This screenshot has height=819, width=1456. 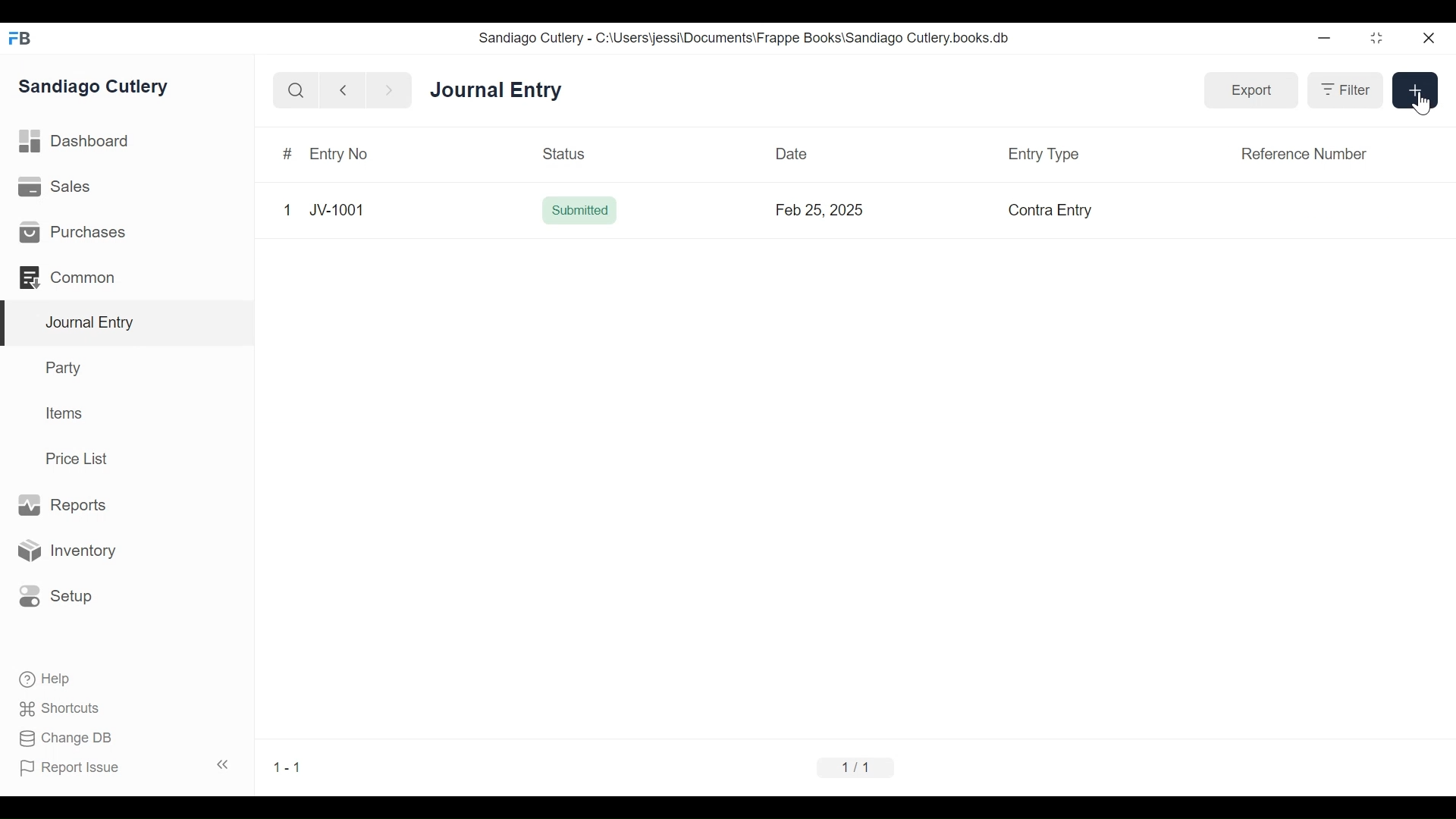 I want to click on Items, so click(x=66, y=415).